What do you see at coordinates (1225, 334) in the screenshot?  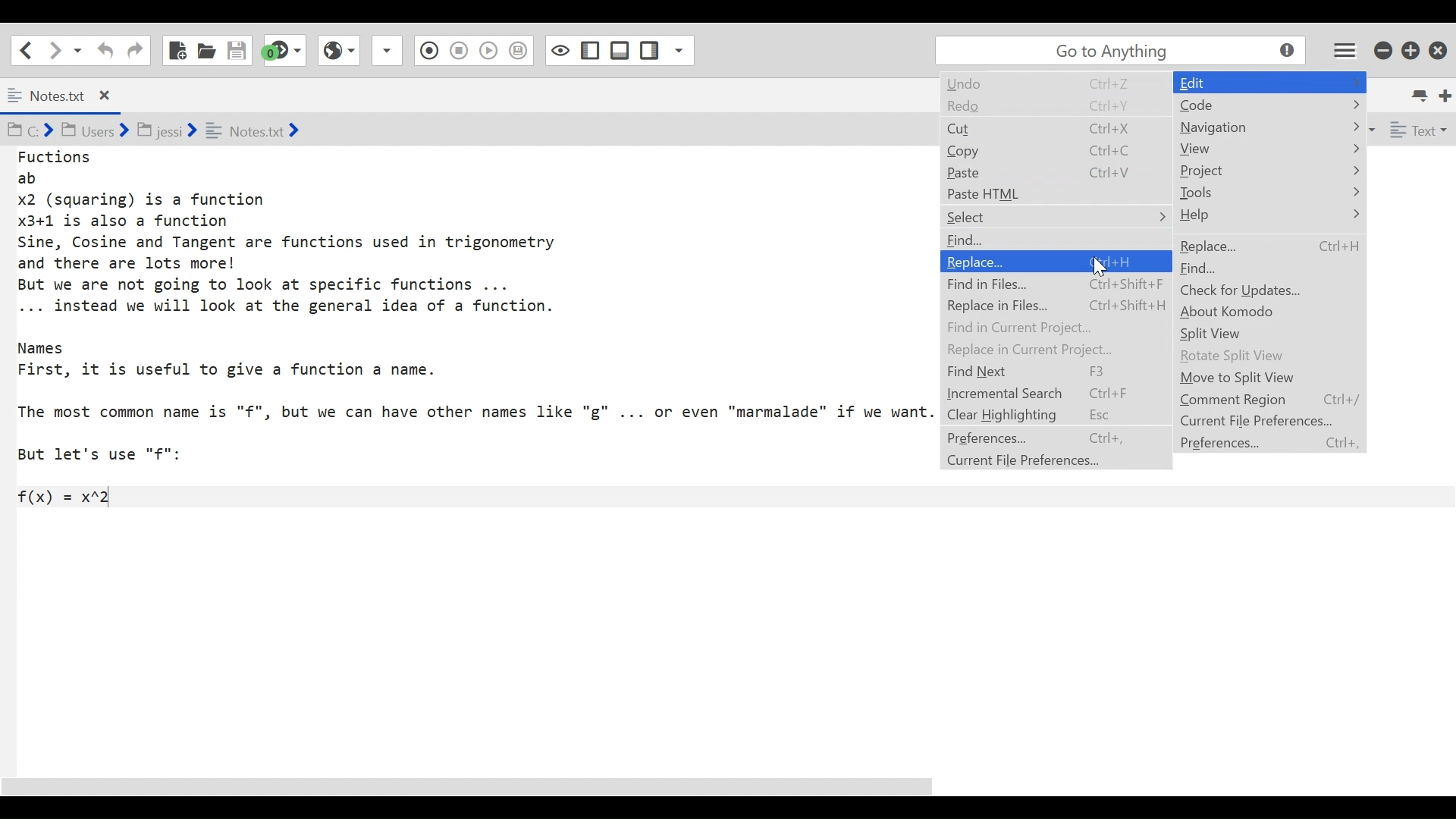 I see `Split View` at bounding box center [1225, 334].